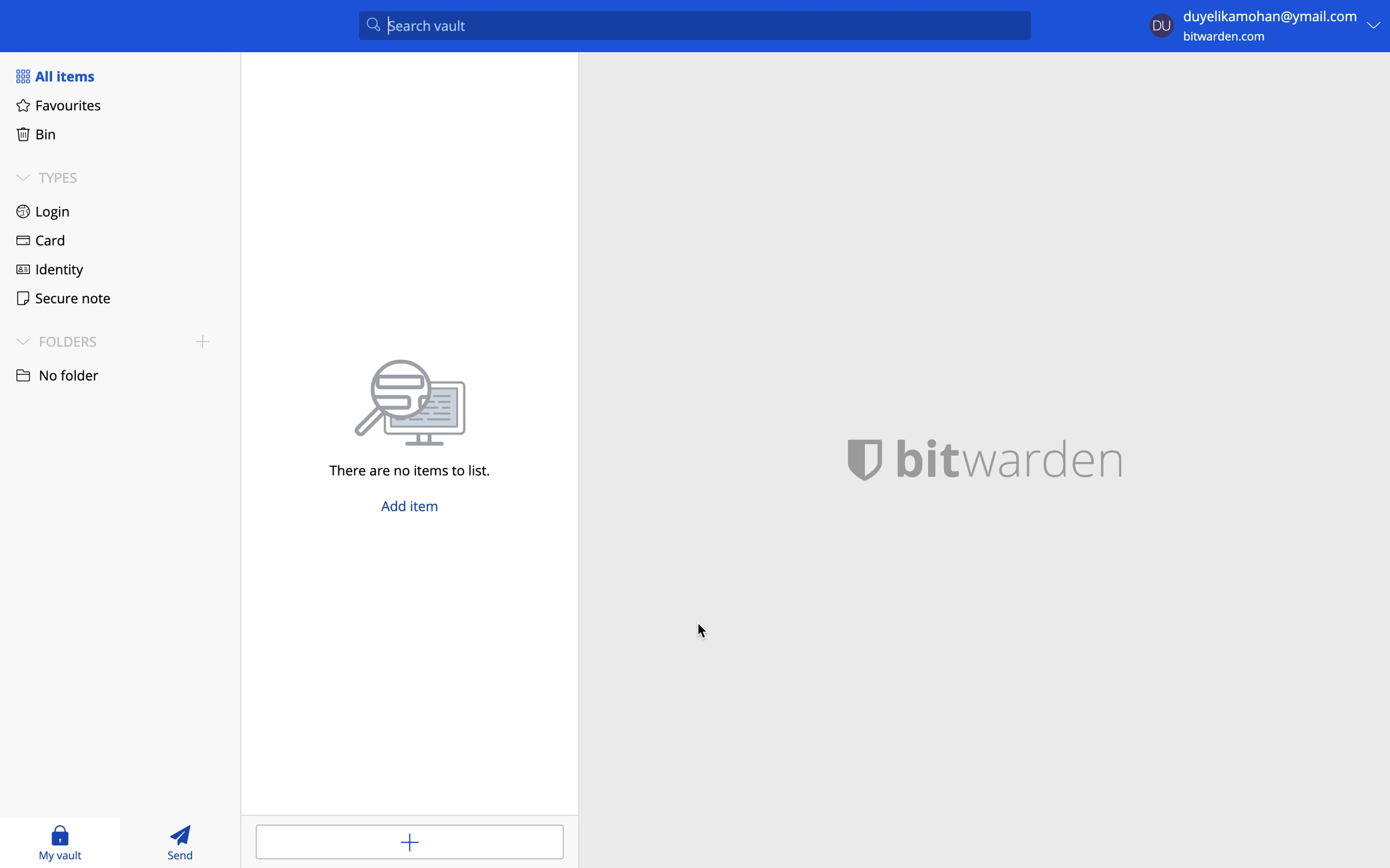 Image resolution: width=1390 pixels, height=868 pixels. What do you see at coordinates (695, 25) in the screenshot?
I see `search bar` at bounding box center [695, 25].